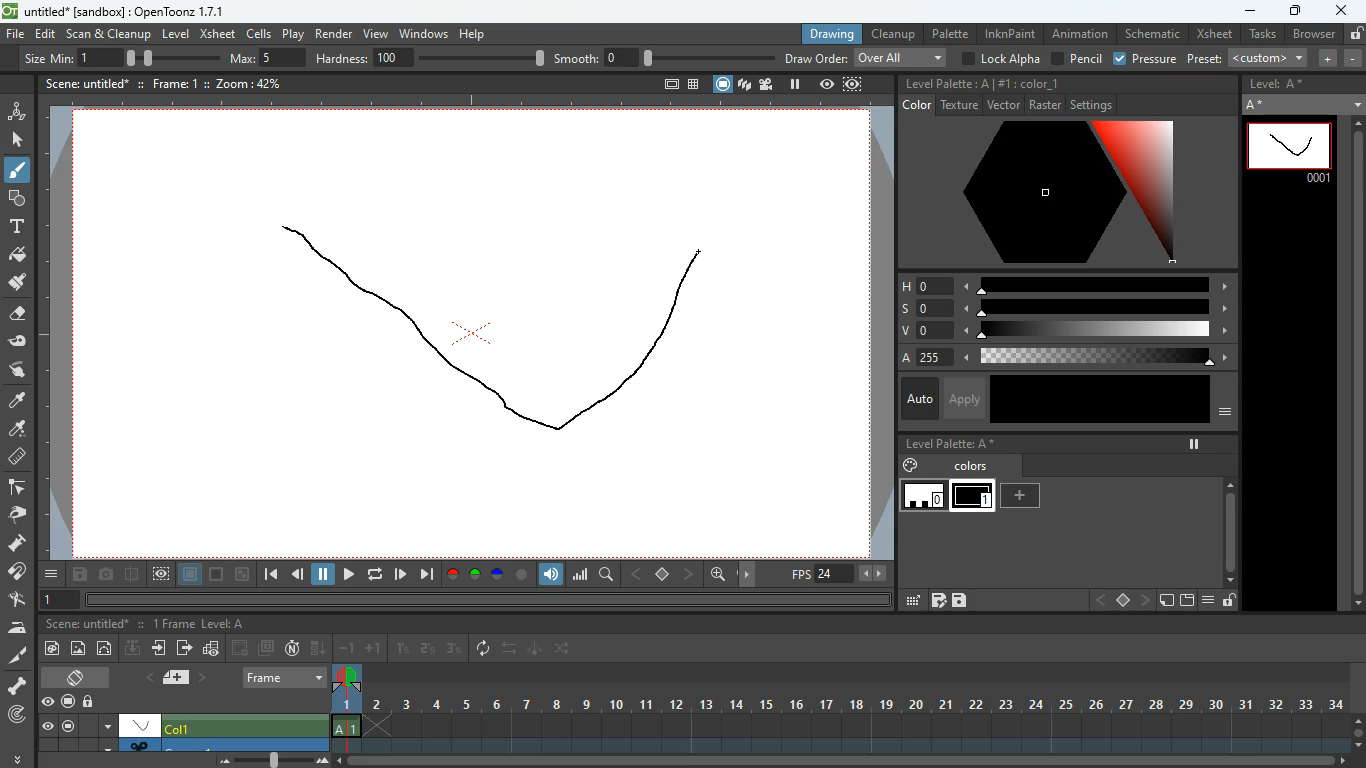 The height and width of the screenshot is (768, 1366). I want to click on radar, so click(19, 716).